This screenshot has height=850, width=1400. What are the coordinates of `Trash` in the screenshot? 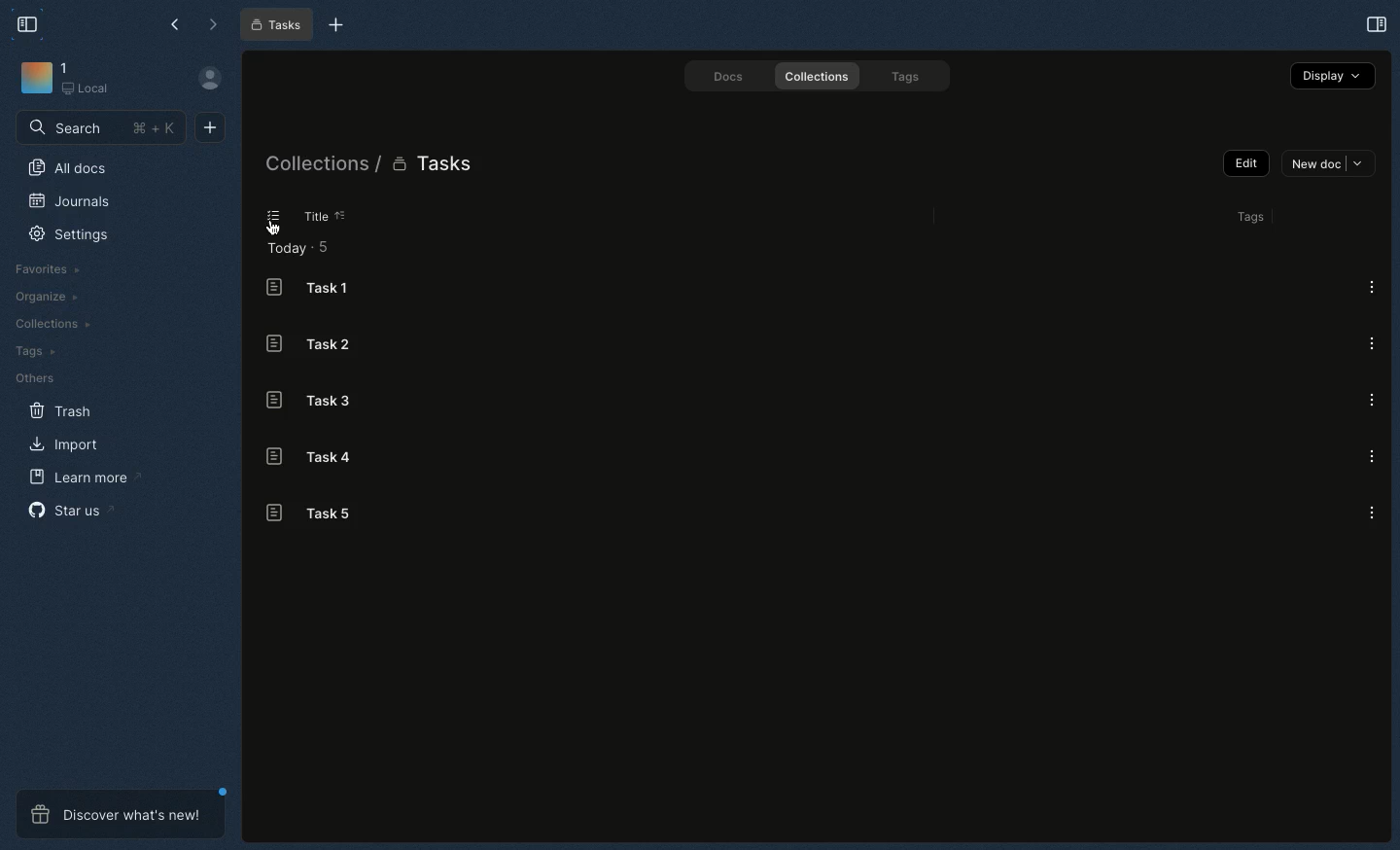 It's located at (59, 409).